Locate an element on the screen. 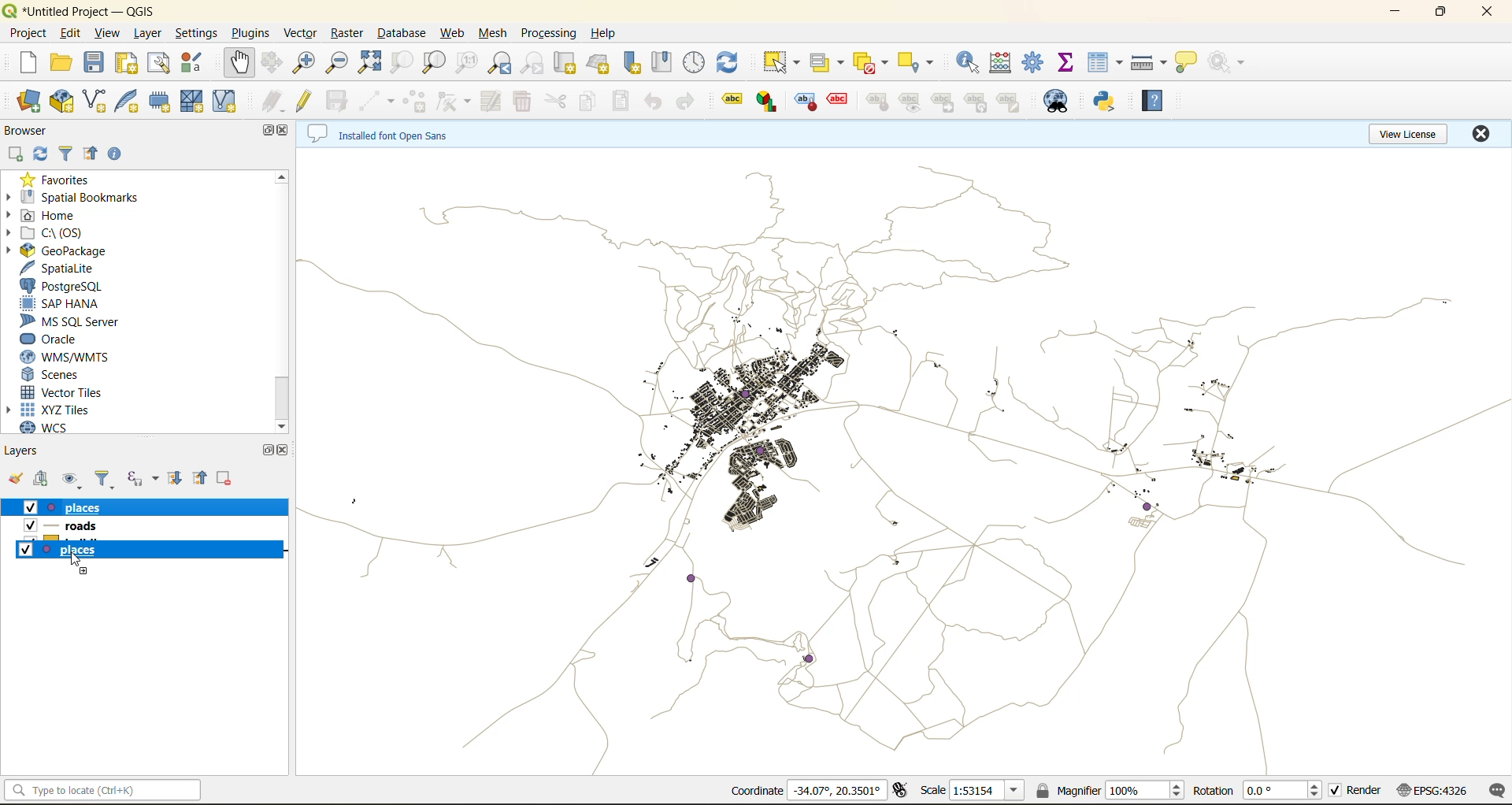 The height and width of the screenshot is (805, 1512). new spatialite is located at coordinates (128, 102).